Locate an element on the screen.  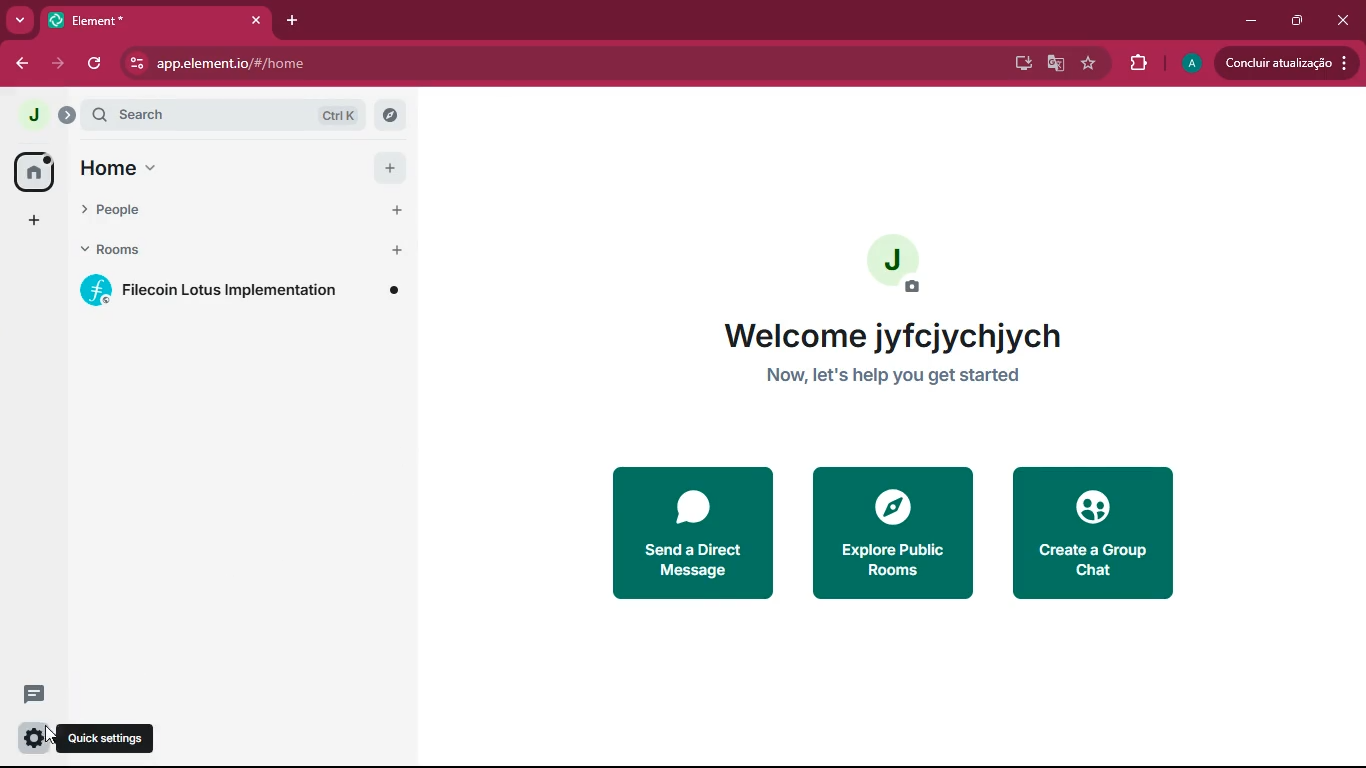
add is located at coordinates (391, 168).